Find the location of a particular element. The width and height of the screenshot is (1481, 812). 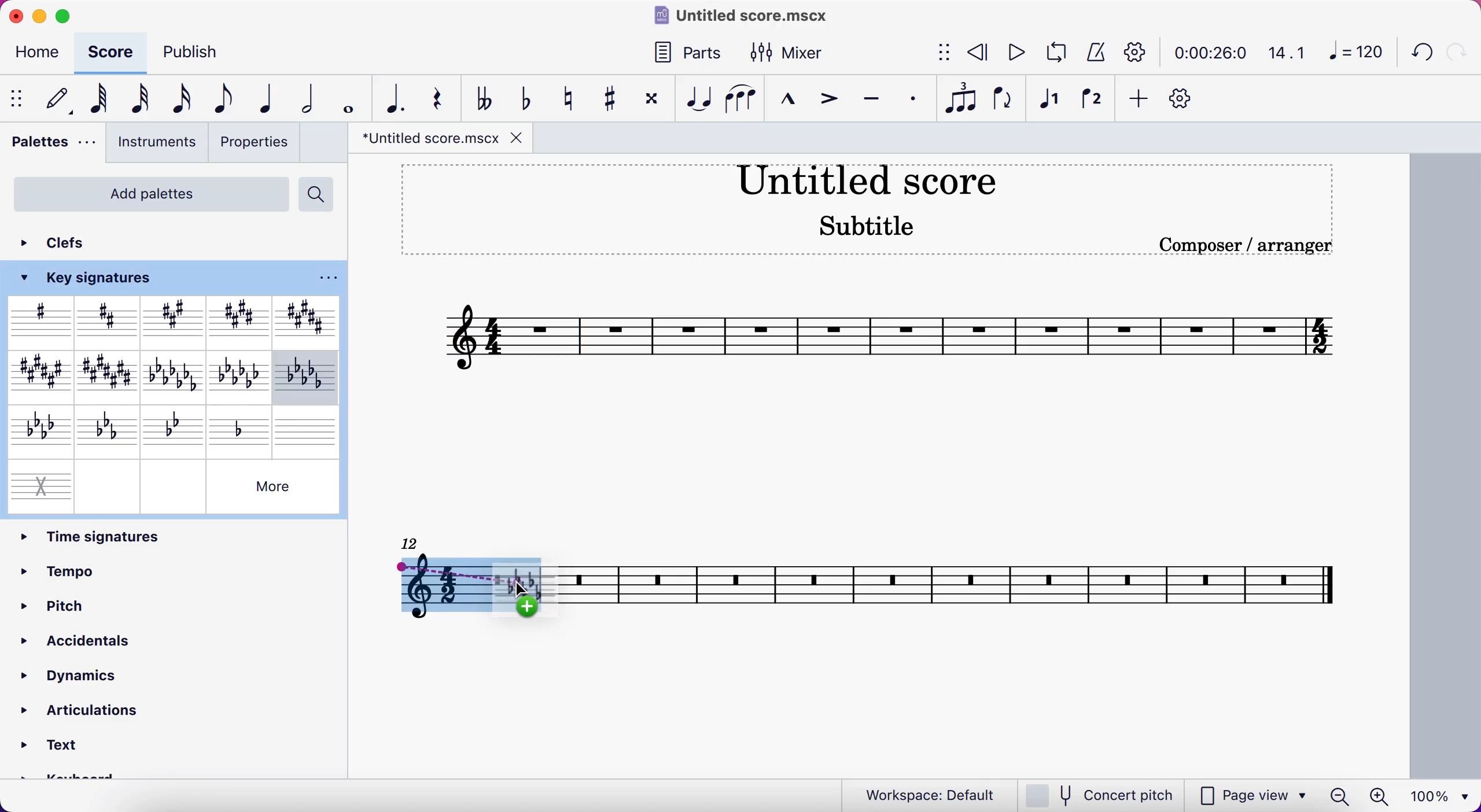

blank is located at coordinates (308, 429).